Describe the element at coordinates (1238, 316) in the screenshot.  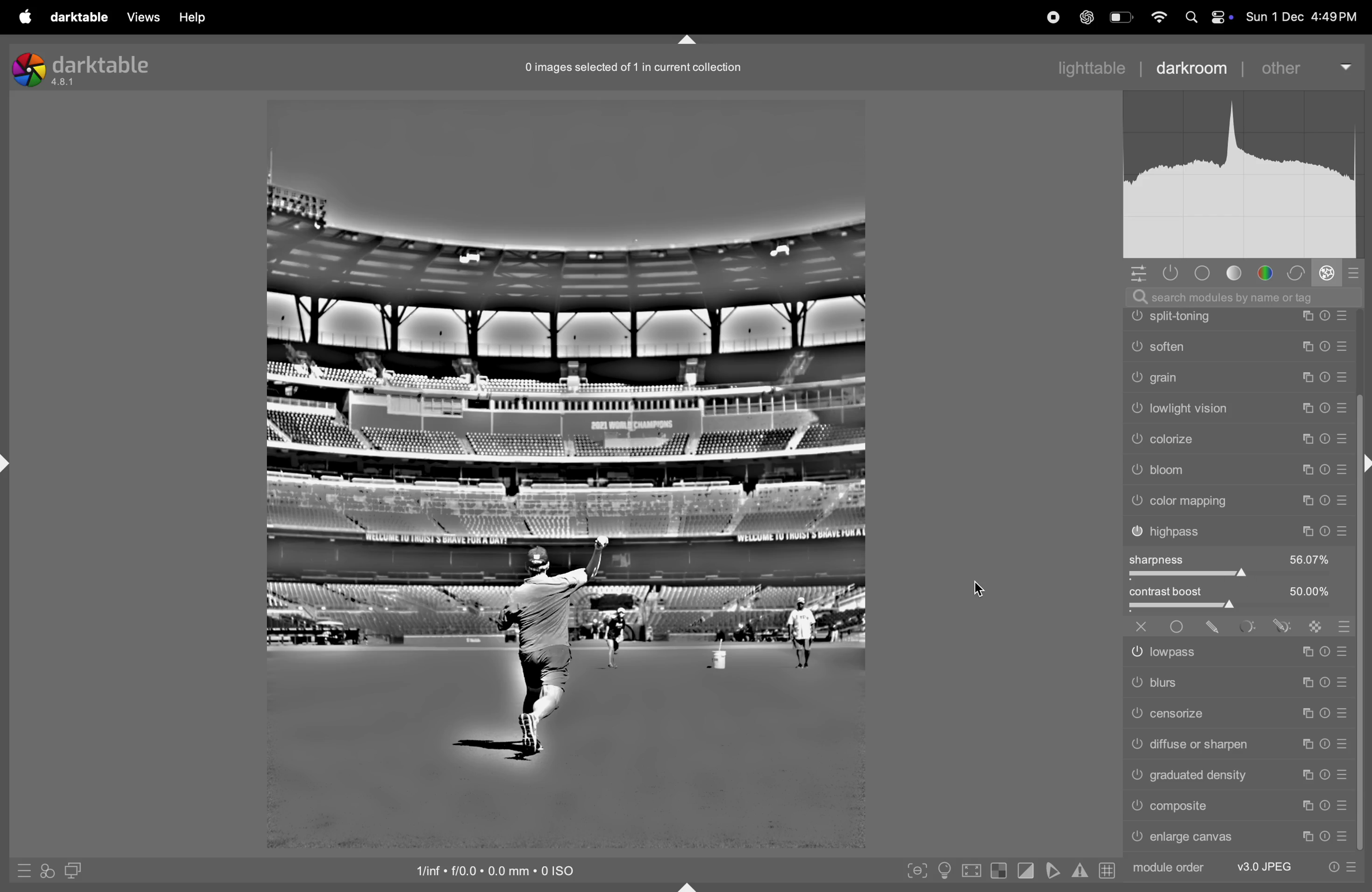
I see `watermark` at that location.